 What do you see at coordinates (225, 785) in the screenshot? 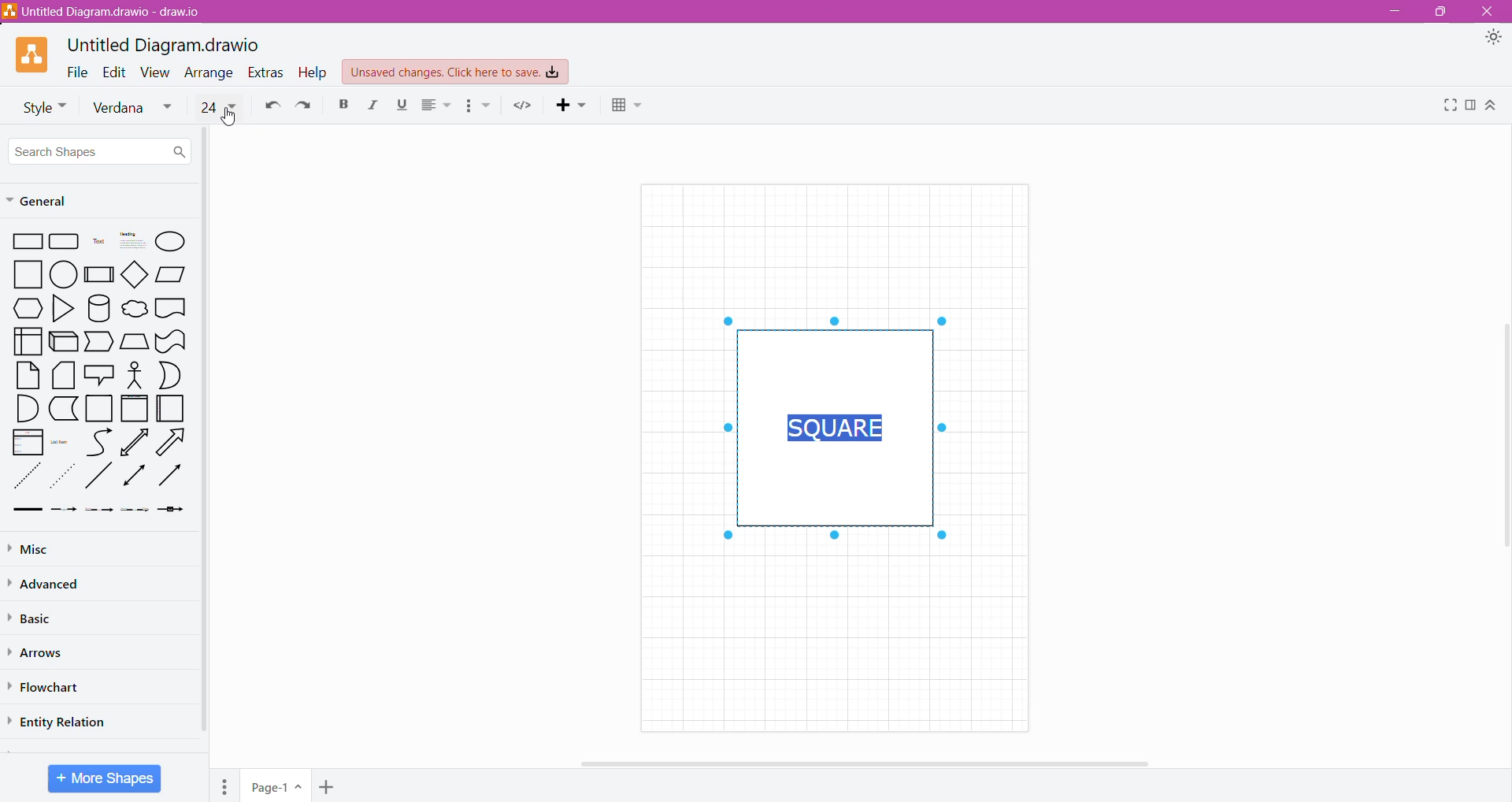
I see `Pages` at bounding box center [225, 785].